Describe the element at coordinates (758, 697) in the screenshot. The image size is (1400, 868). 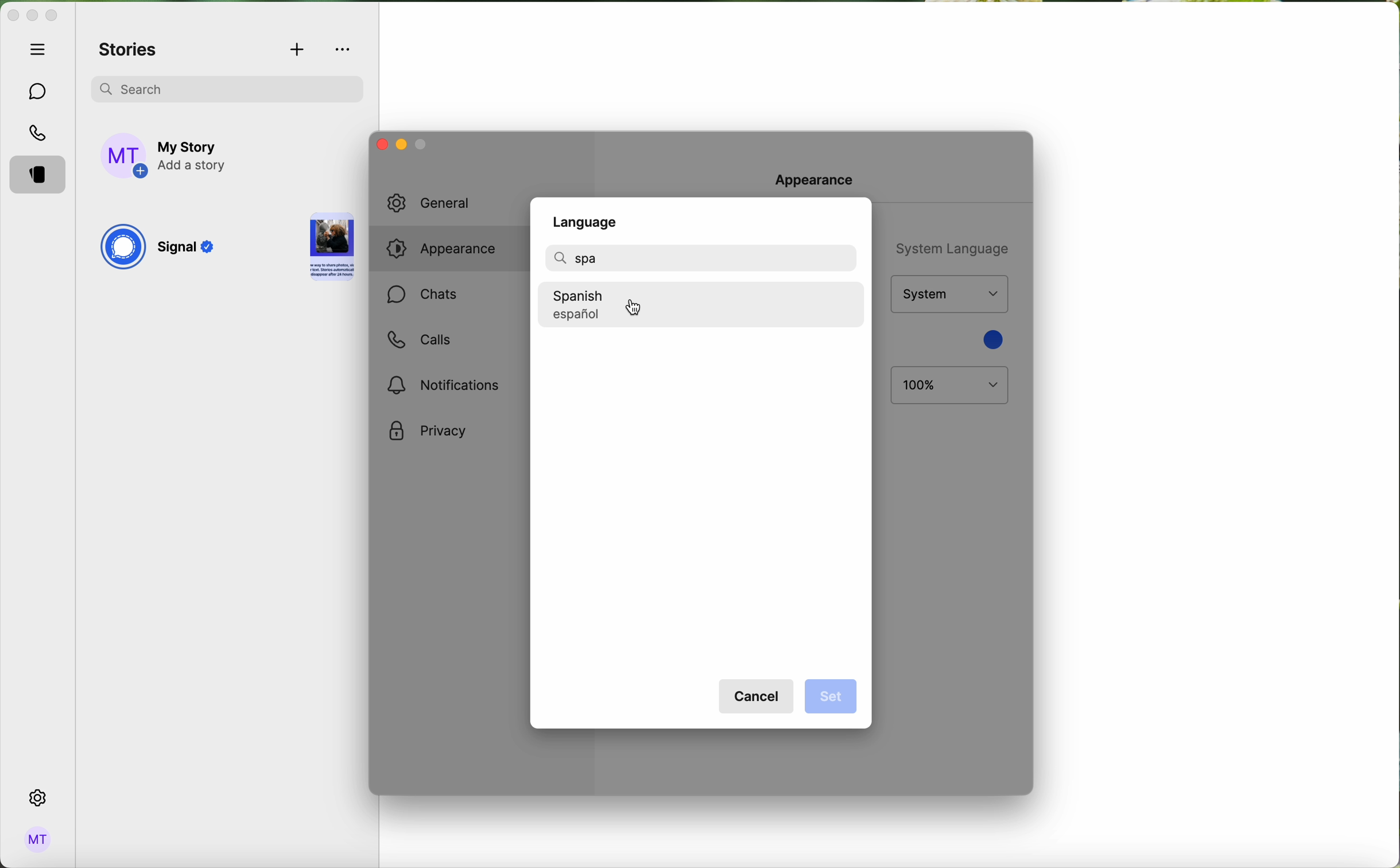
I see `cancel button` at that location.